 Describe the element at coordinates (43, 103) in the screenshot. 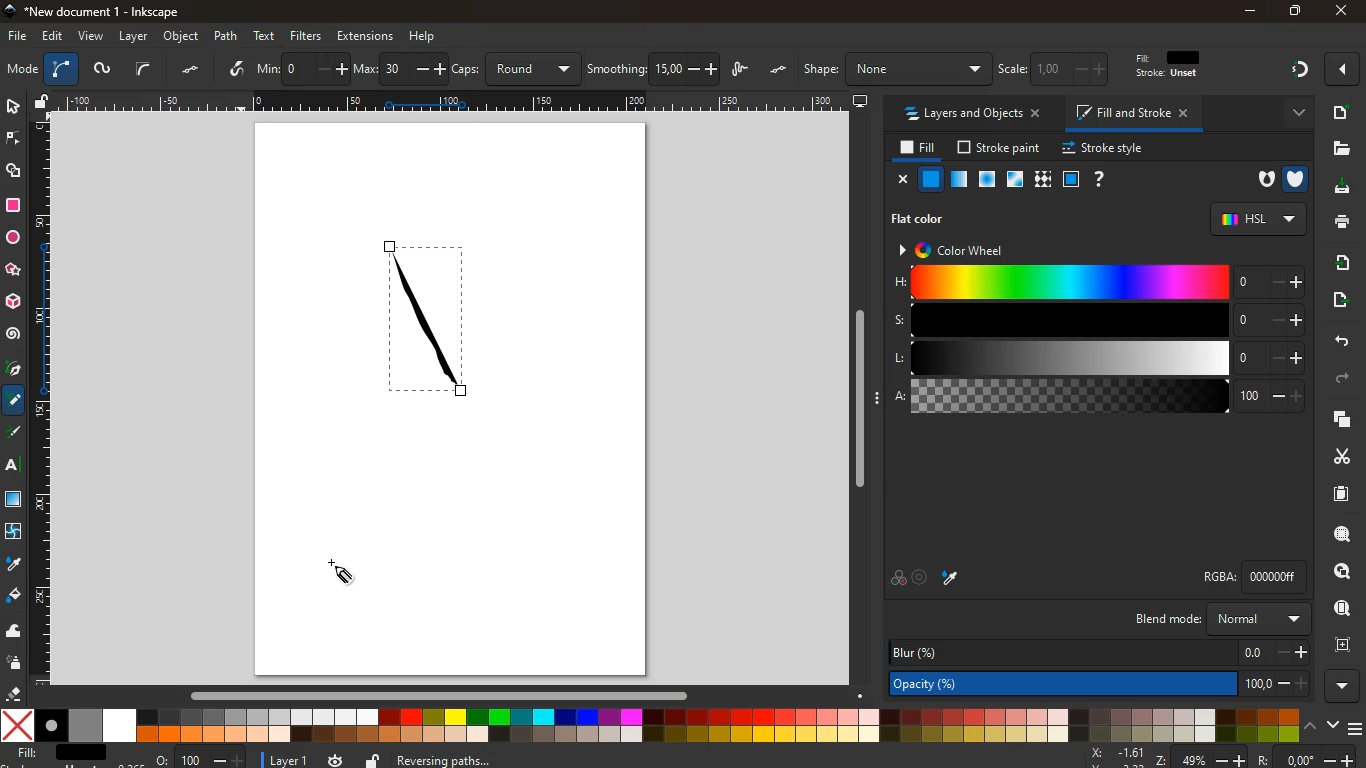

I see `unlock` at that location.